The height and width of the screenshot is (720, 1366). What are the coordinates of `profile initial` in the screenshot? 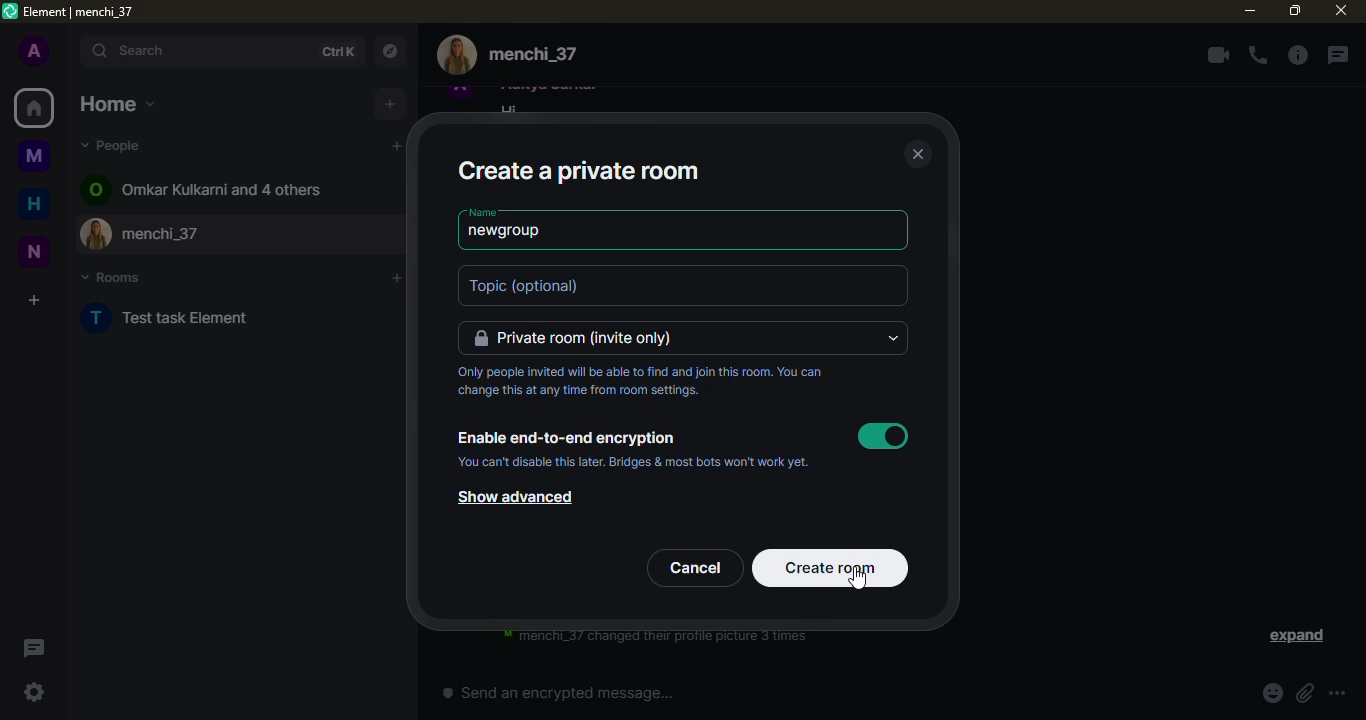 It's located at (35, 50).